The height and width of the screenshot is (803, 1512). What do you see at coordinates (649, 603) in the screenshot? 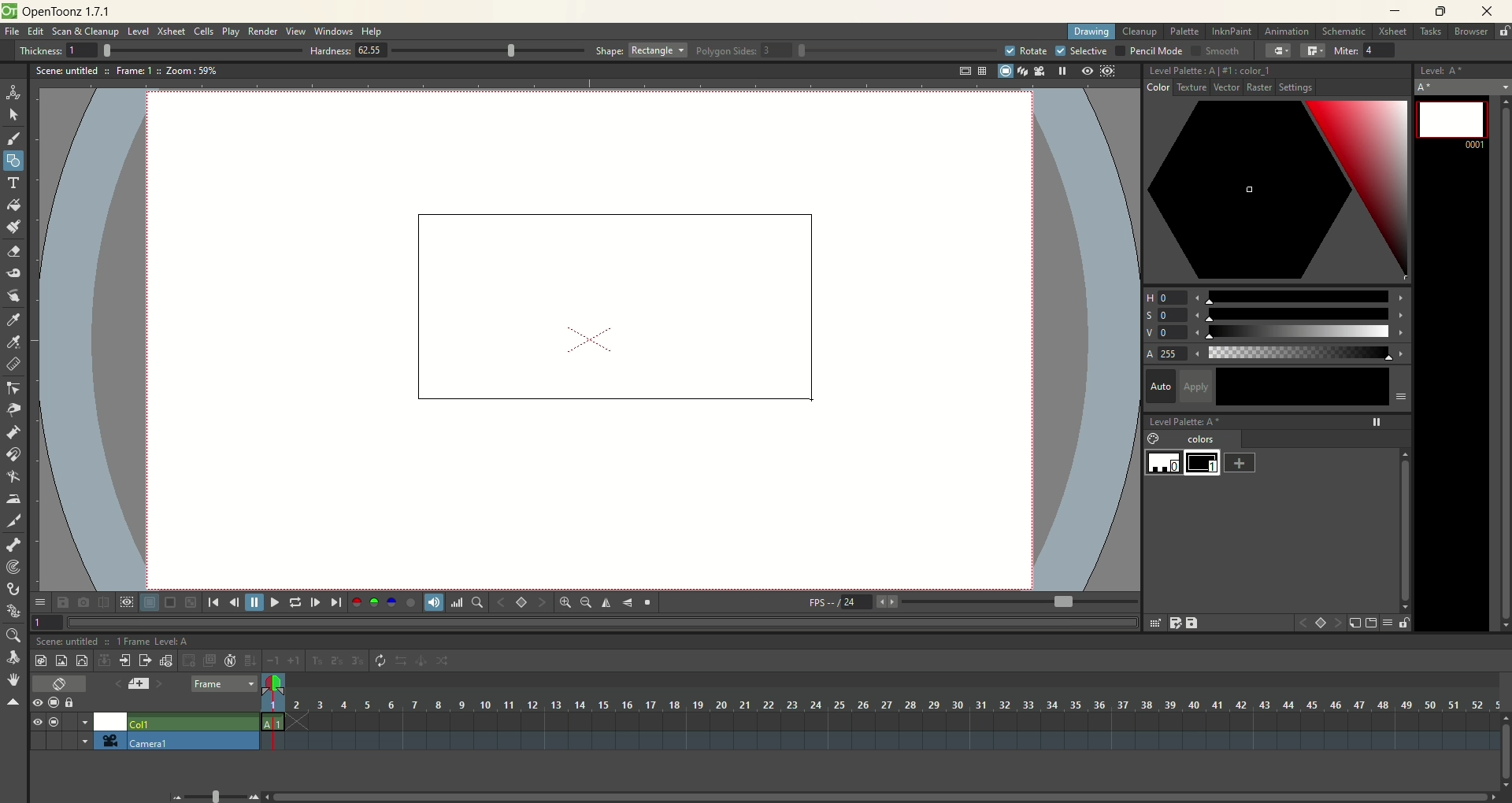
I see `reset view` at bounding box center [649, 603].